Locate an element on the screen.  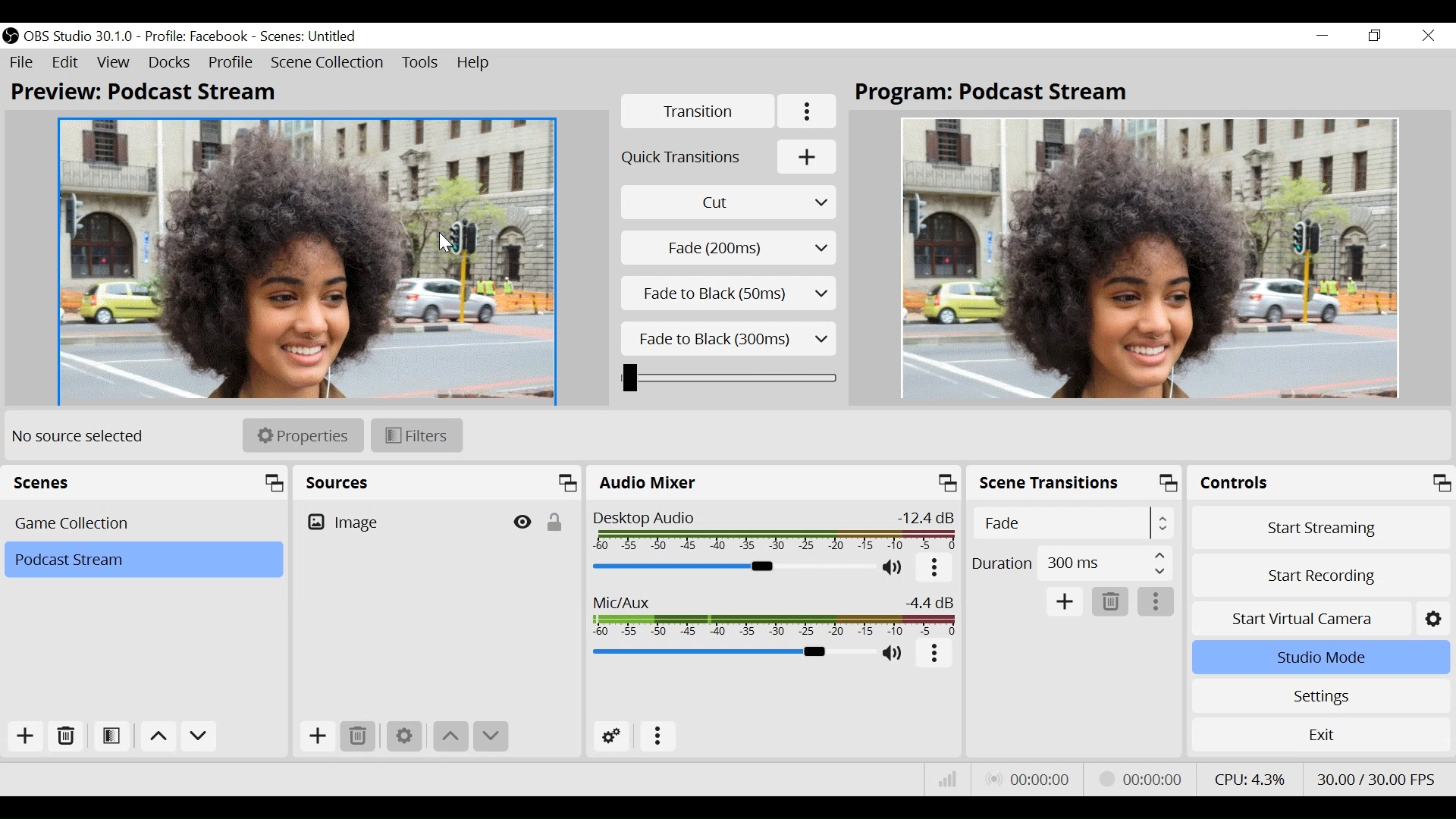
(un)lock is located at coordinates (554, 526).